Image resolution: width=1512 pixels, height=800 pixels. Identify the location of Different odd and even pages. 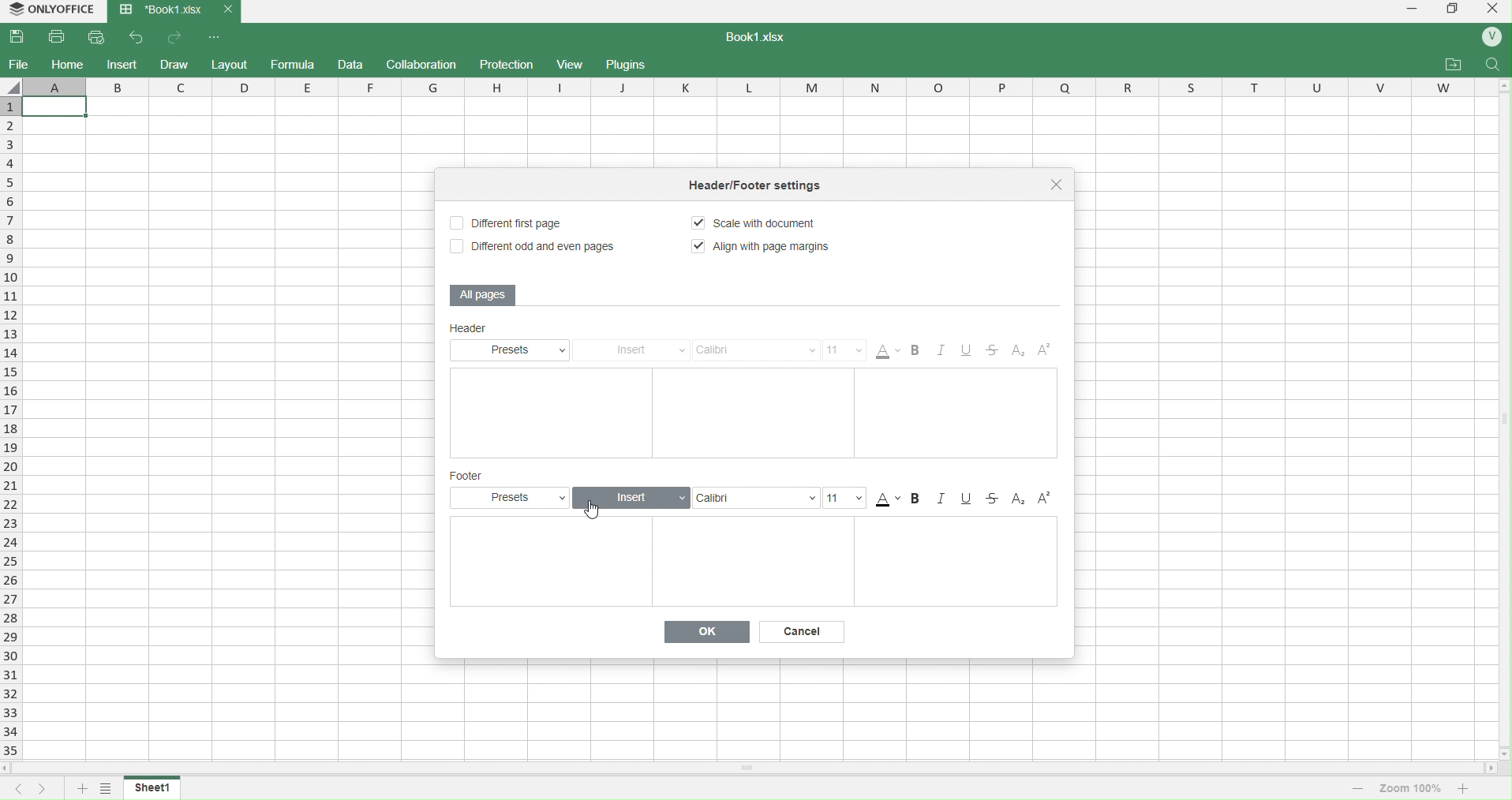
(531, 248).